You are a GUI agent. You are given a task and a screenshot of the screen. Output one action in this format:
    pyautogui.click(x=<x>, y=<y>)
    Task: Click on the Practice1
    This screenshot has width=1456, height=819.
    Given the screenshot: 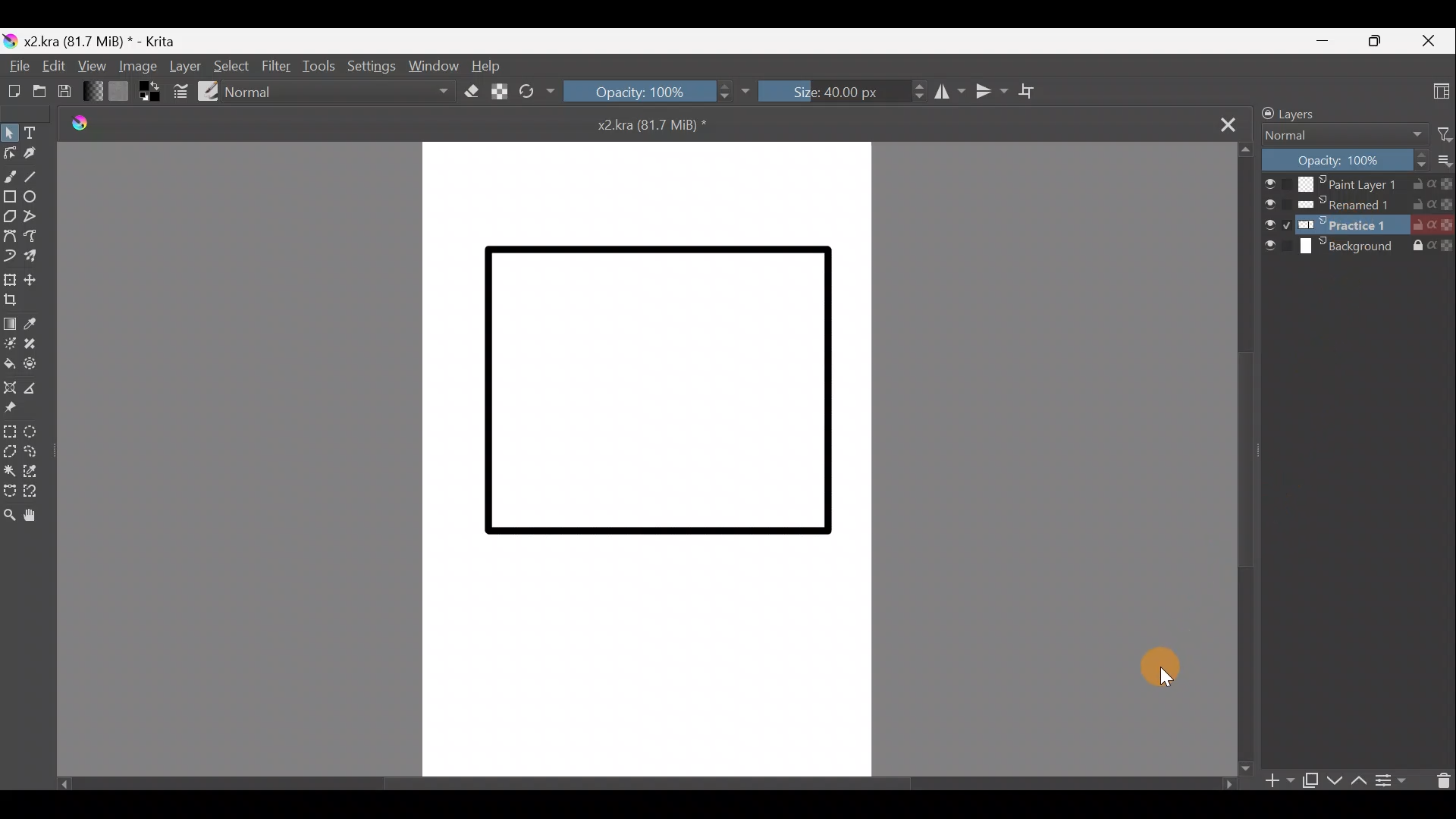 What is the action you would take?
    pyautogui.click(x=1359, y=224)
    